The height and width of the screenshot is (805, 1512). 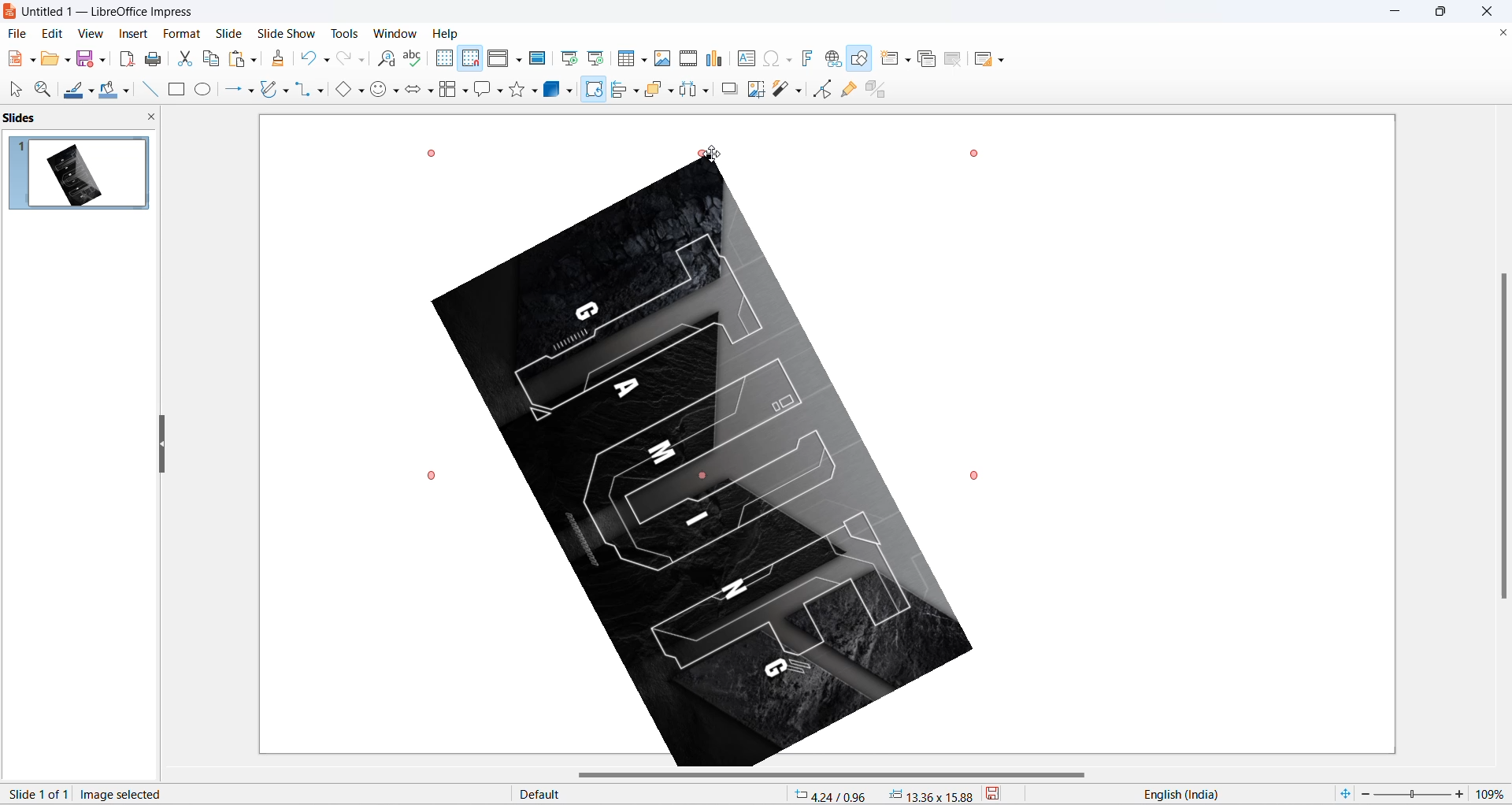 What do you see at coordinates (229, 33) in the screenshot?
I see `slide` at bounding box center [229, 33].